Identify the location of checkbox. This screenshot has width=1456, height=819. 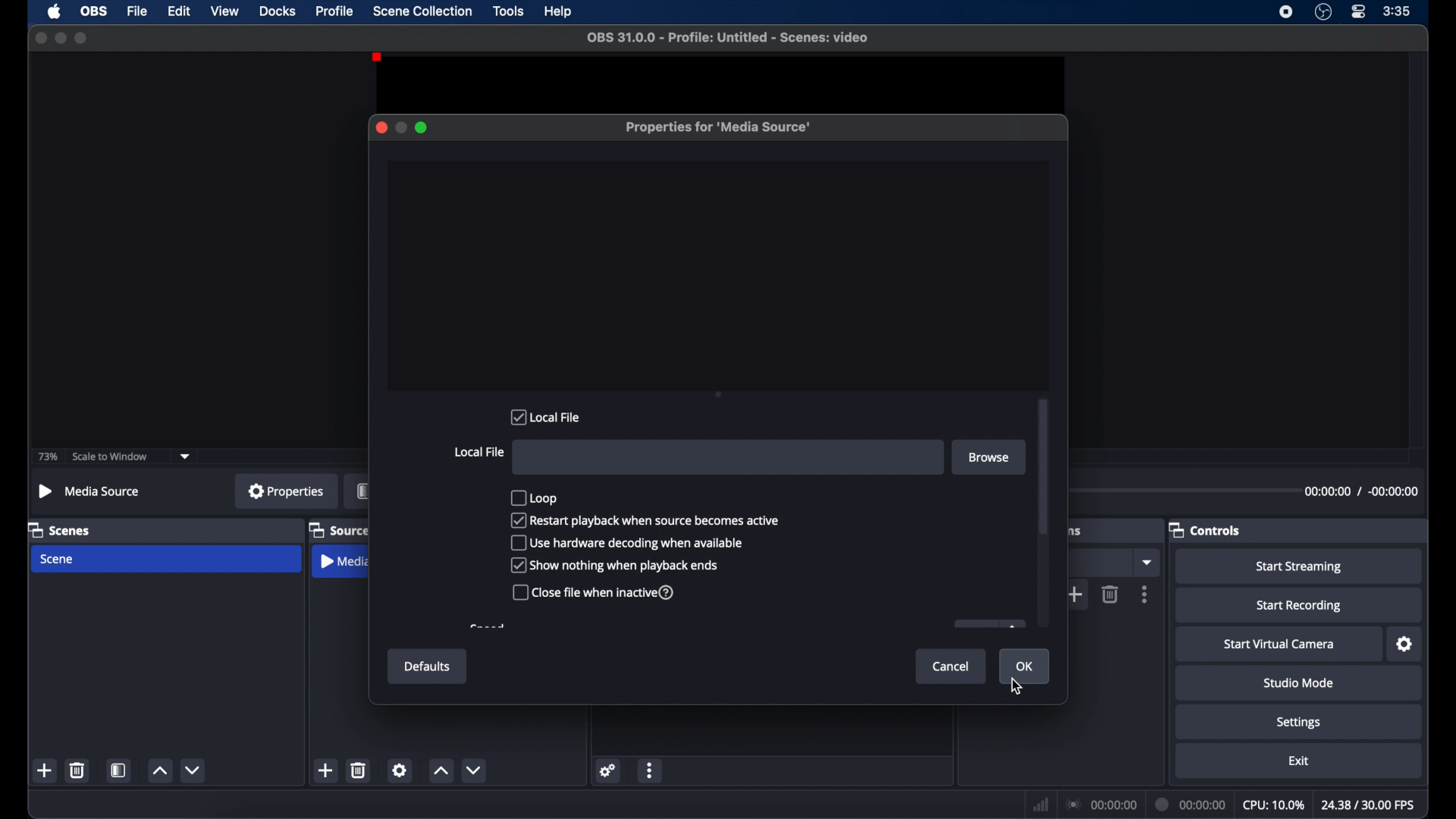
(645, 521).